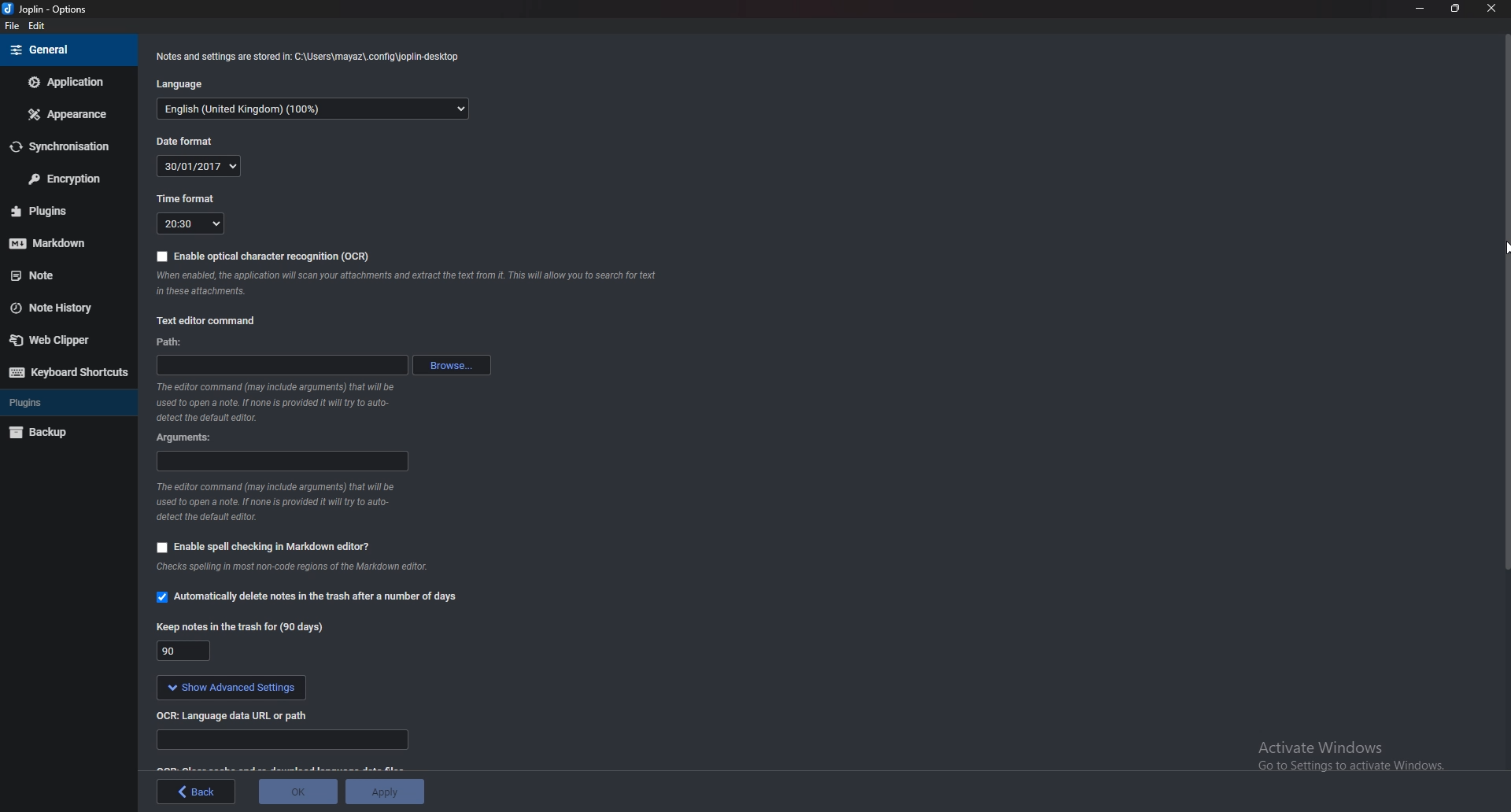  What do you see at coordinates (197, 792) in the screenshot?
I see `back` at bounding box center [197, 792].